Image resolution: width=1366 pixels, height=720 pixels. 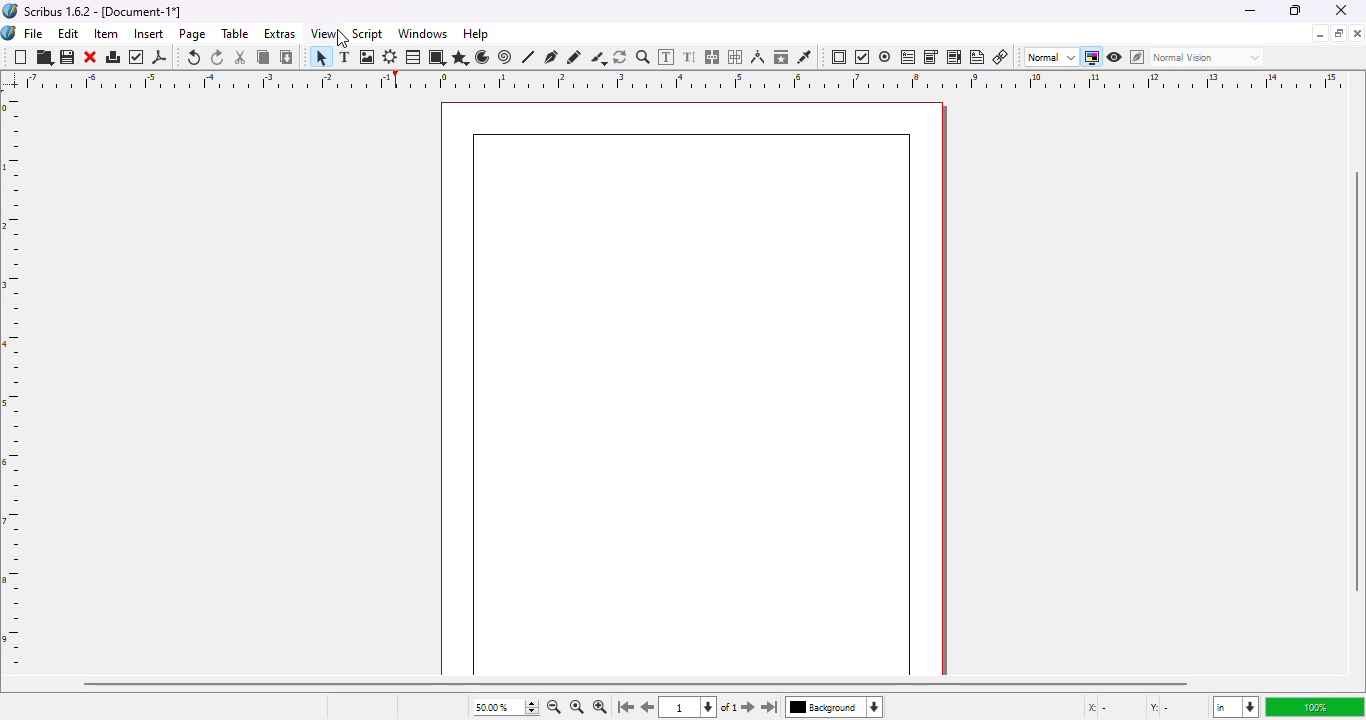 I want to click on edit, so click(x=68, y=33).